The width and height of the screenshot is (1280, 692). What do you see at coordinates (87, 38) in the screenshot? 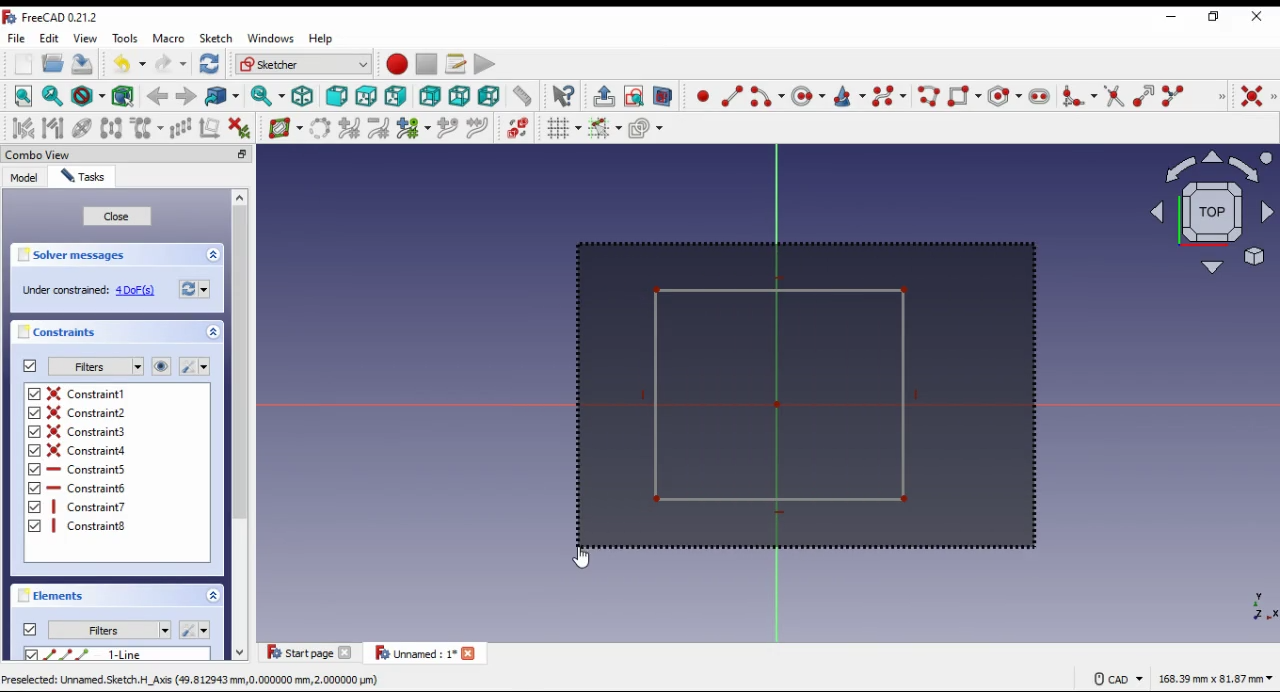
I see `view` at bounding box center [87, 38].